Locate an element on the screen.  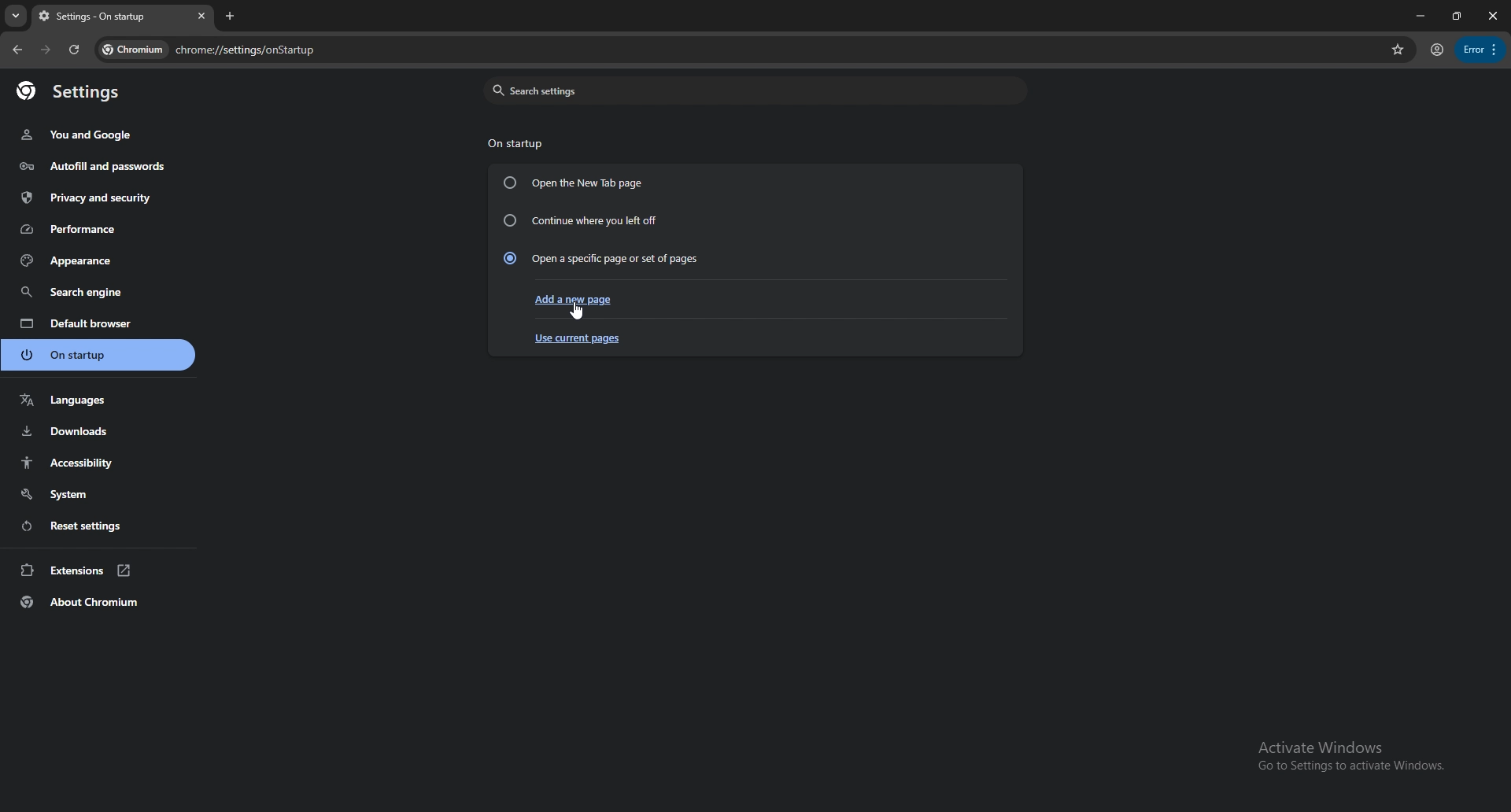
on startup is located at coordinates (516, 142).